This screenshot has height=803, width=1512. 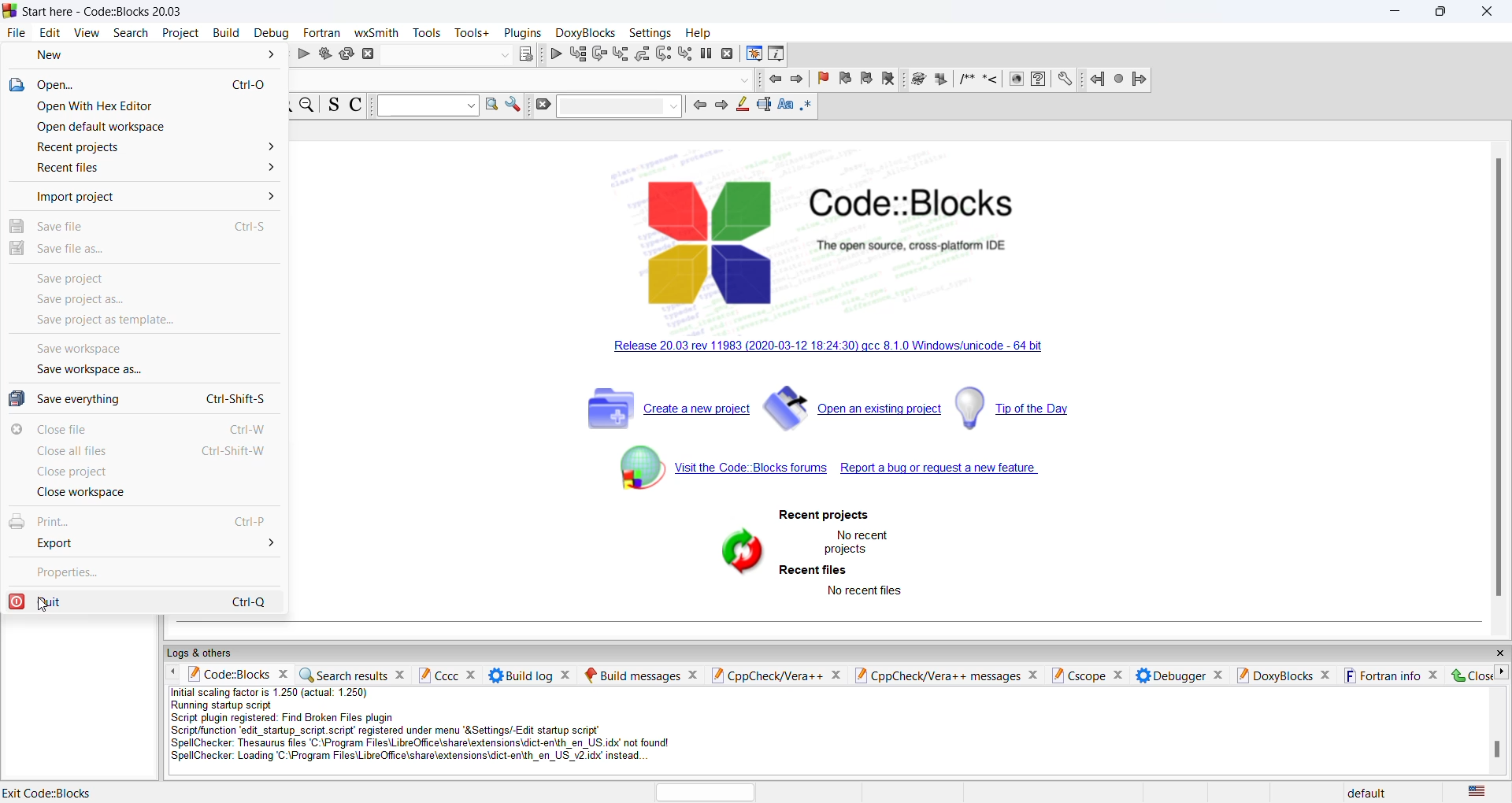 I want to click on close, so click(x=1327, y=675).